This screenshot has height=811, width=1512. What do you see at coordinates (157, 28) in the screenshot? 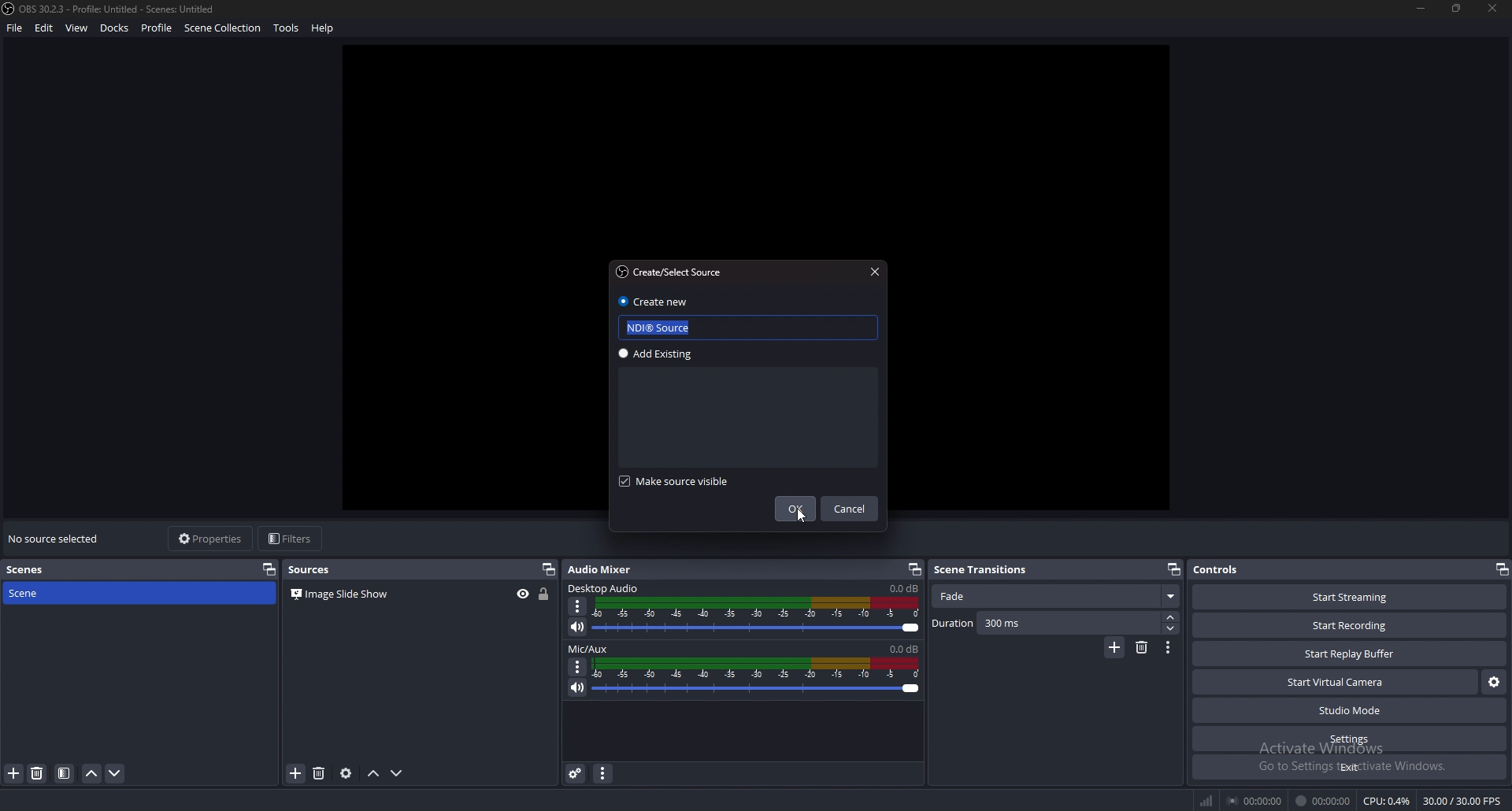
I see `profile` at bounding box center [157, 28].